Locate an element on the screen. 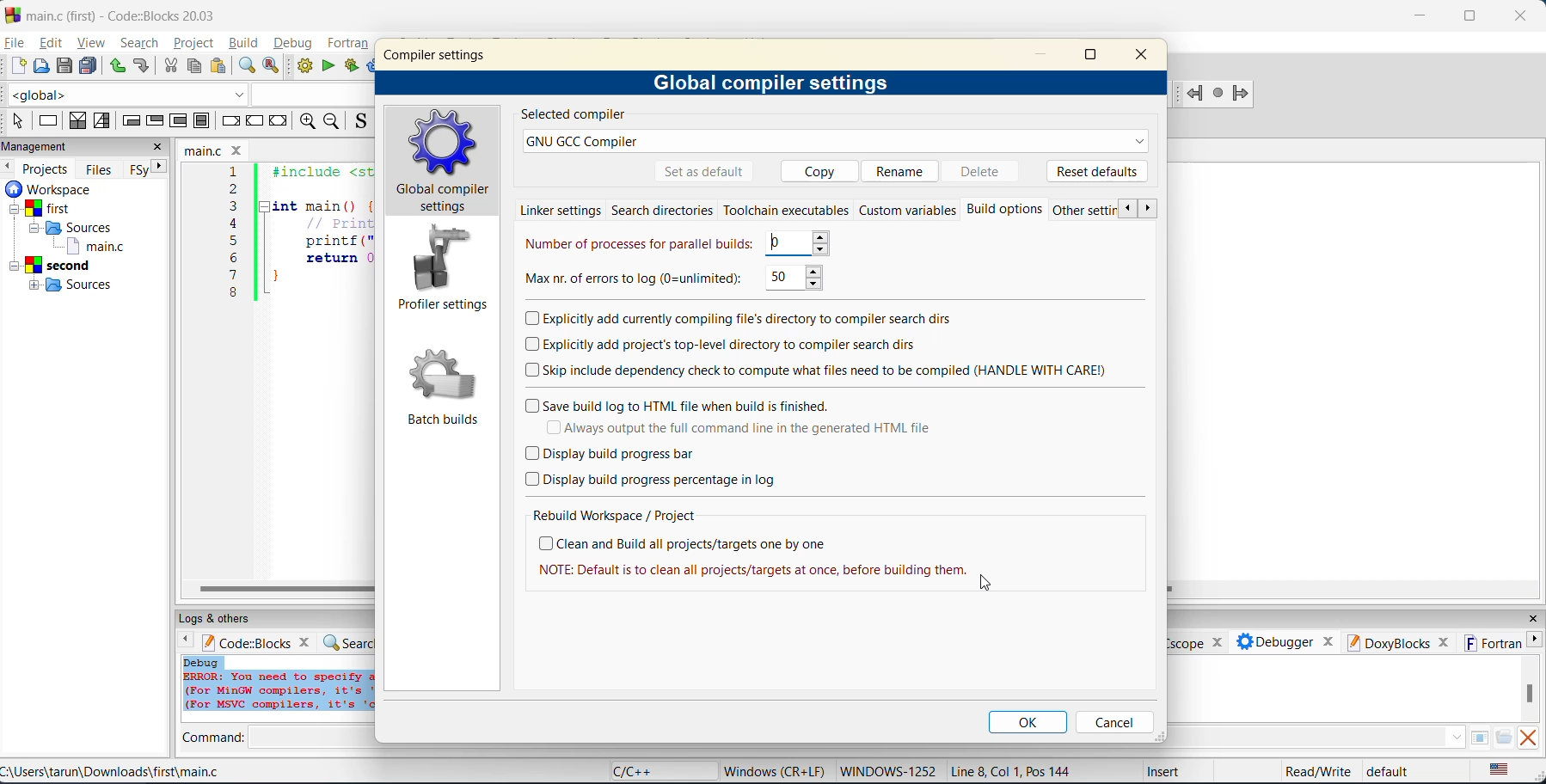 This screenshot has height=784, width=1546. toolchain executables is located at coordinates (786, 211).